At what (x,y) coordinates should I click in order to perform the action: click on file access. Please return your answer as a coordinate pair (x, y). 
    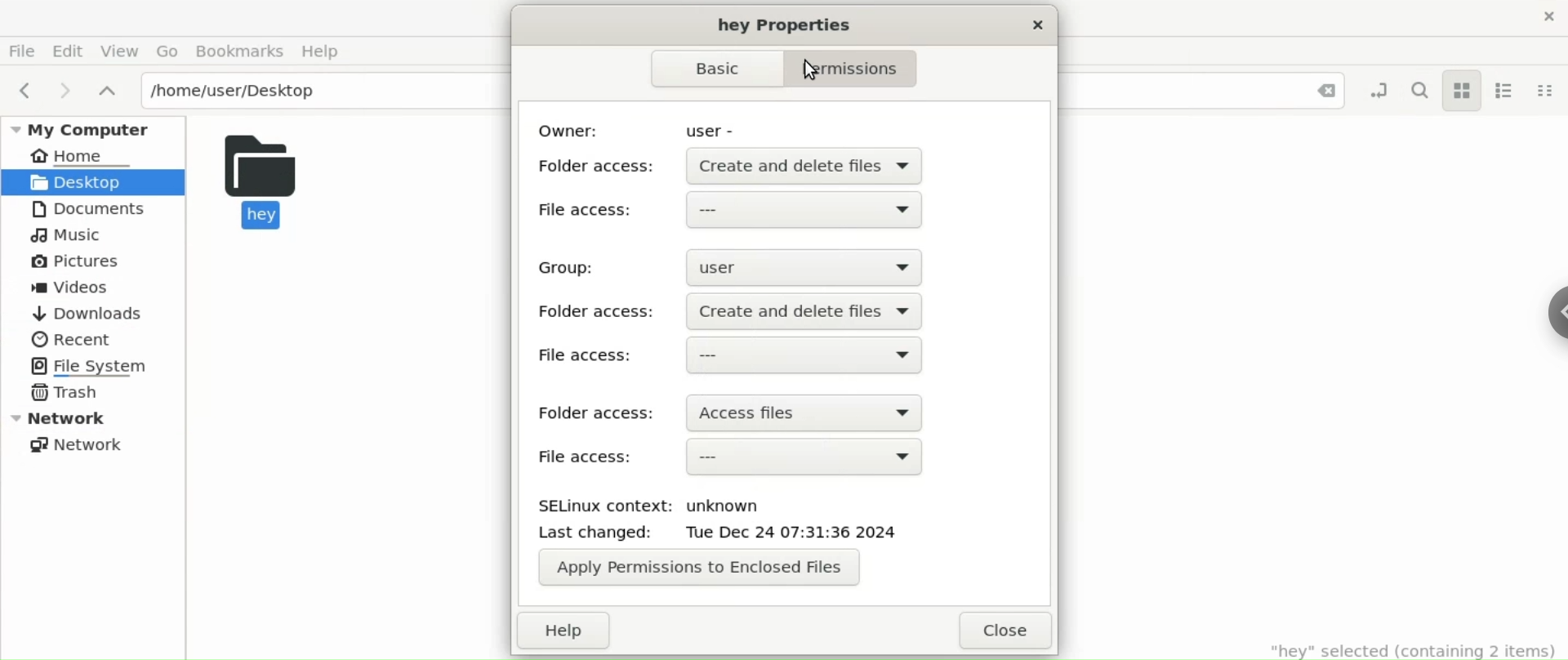
    Looking at the image, I should click on (737, 209).